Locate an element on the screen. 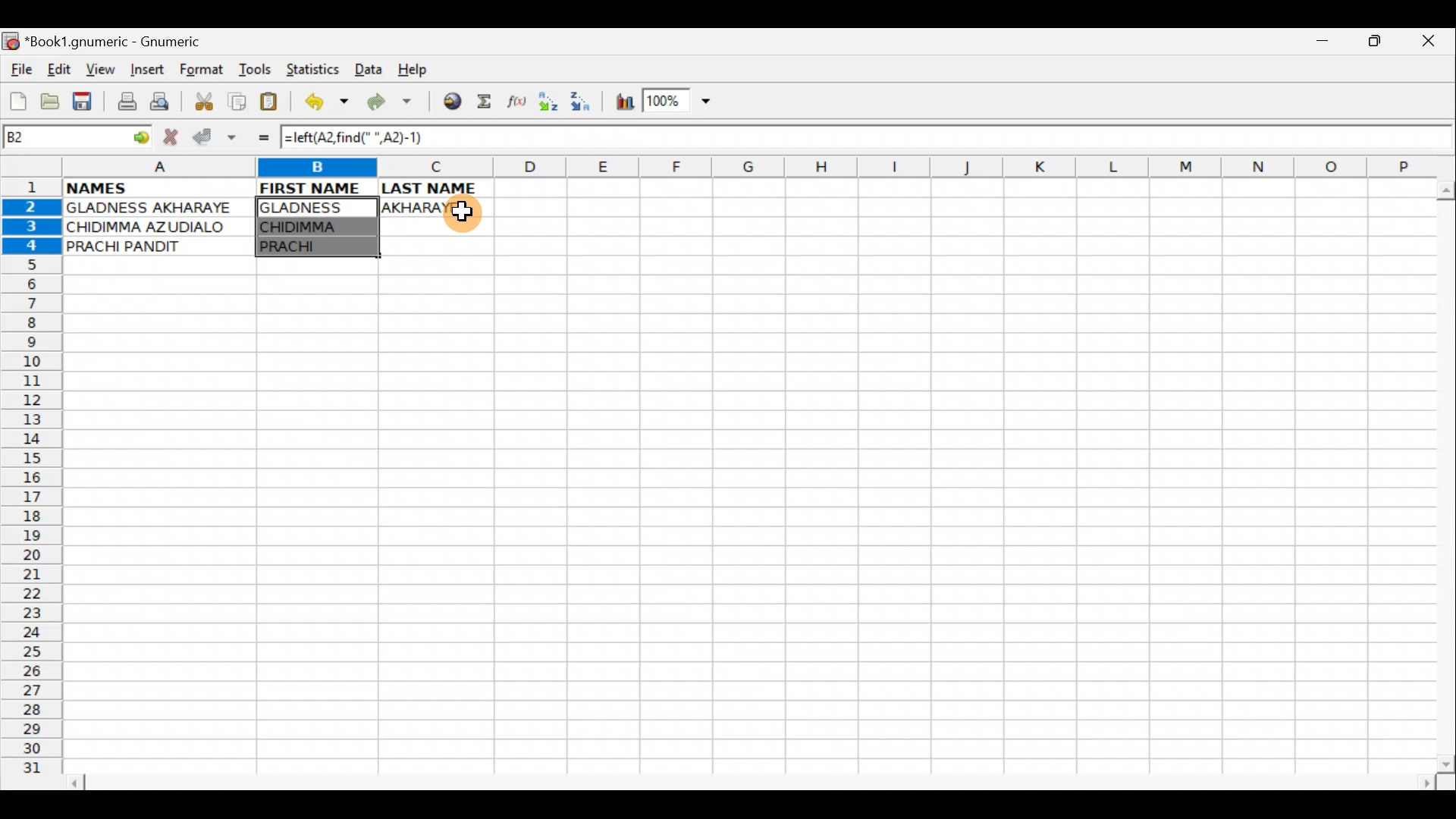 Image resolution: width=1456 pixels, height=819 pixels. Formula bar is located at coordinates (947, 140).